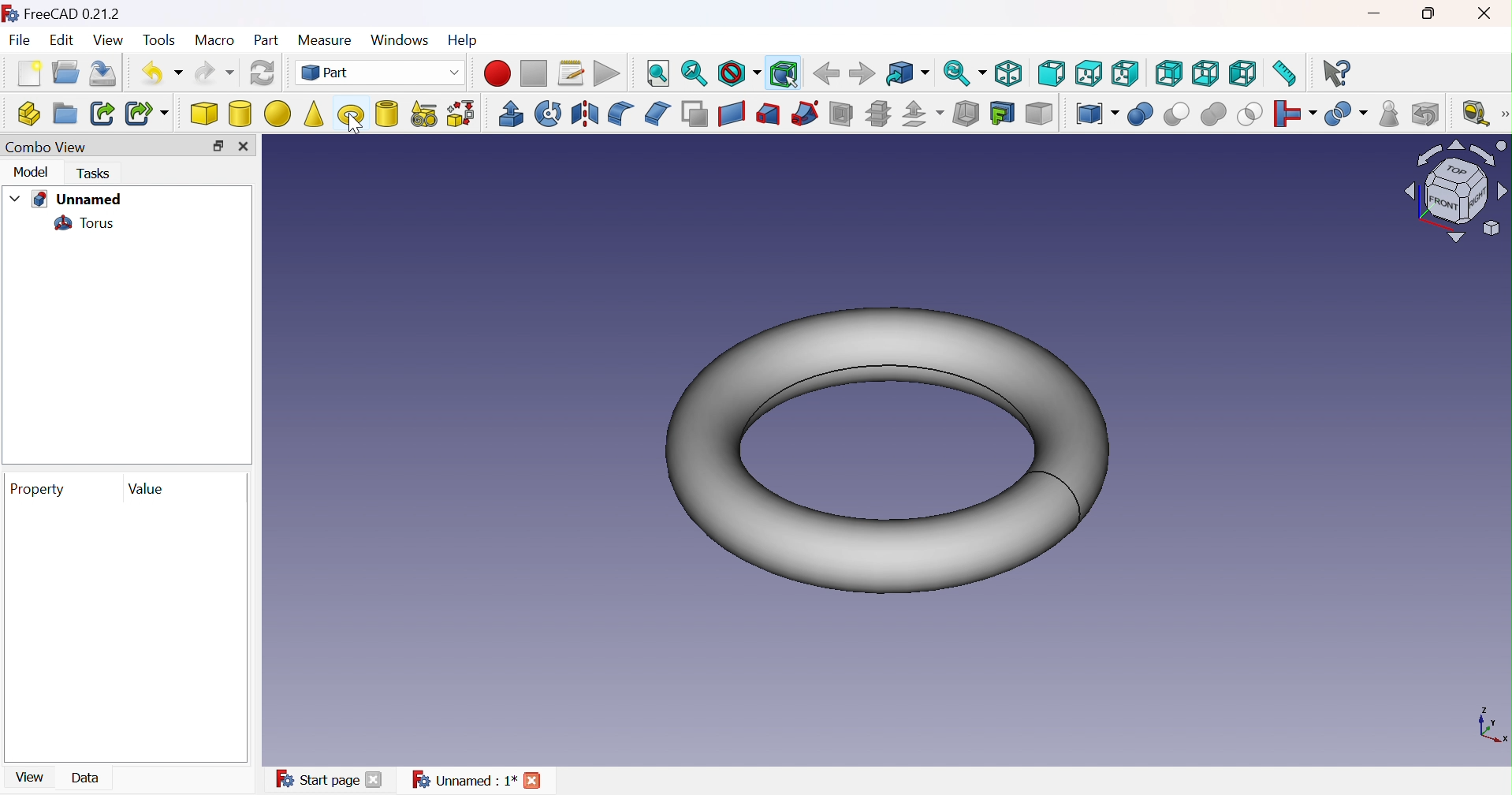 This screenshot has width=1512, height=795. What do you see at coordinates (1036, 114) in the screenshot?
I see `Color per face` at bounding box center [1036, 114].